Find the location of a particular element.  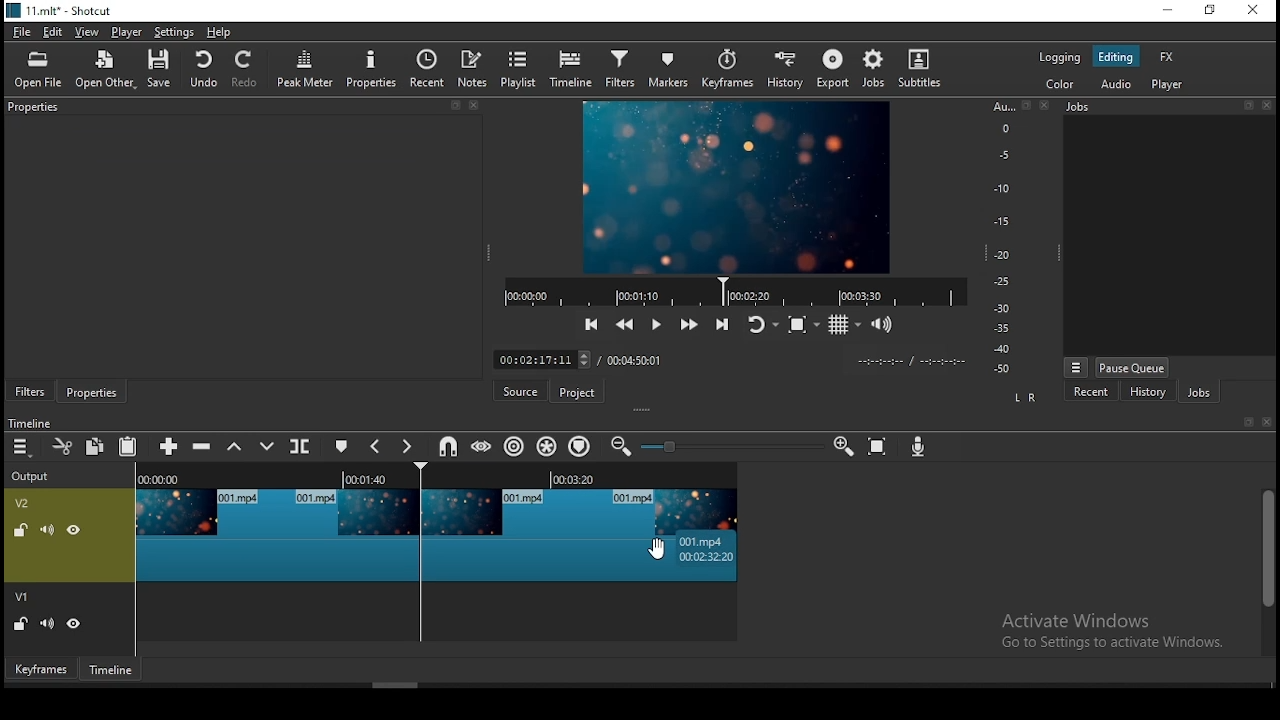

pause queue is located at coordinates (1132, 367).